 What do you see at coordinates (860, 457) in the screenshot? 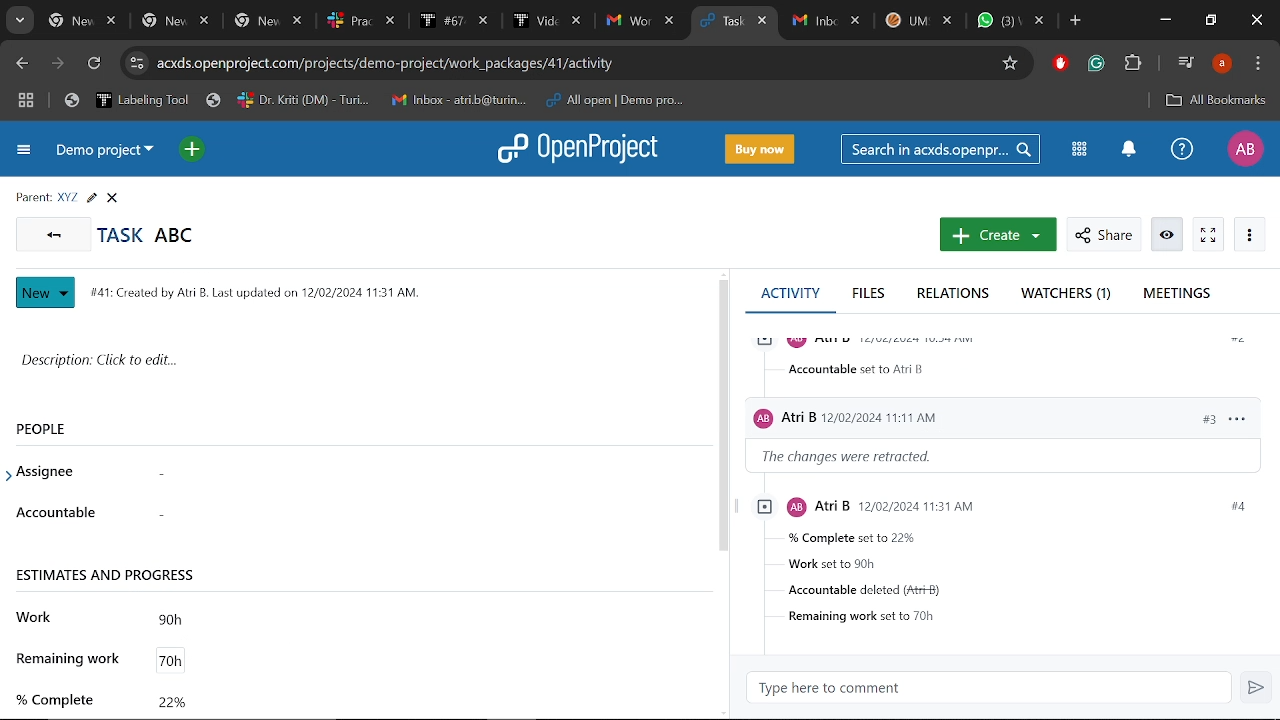
I see `the changes were retracted` at bounding box center [860, 457].